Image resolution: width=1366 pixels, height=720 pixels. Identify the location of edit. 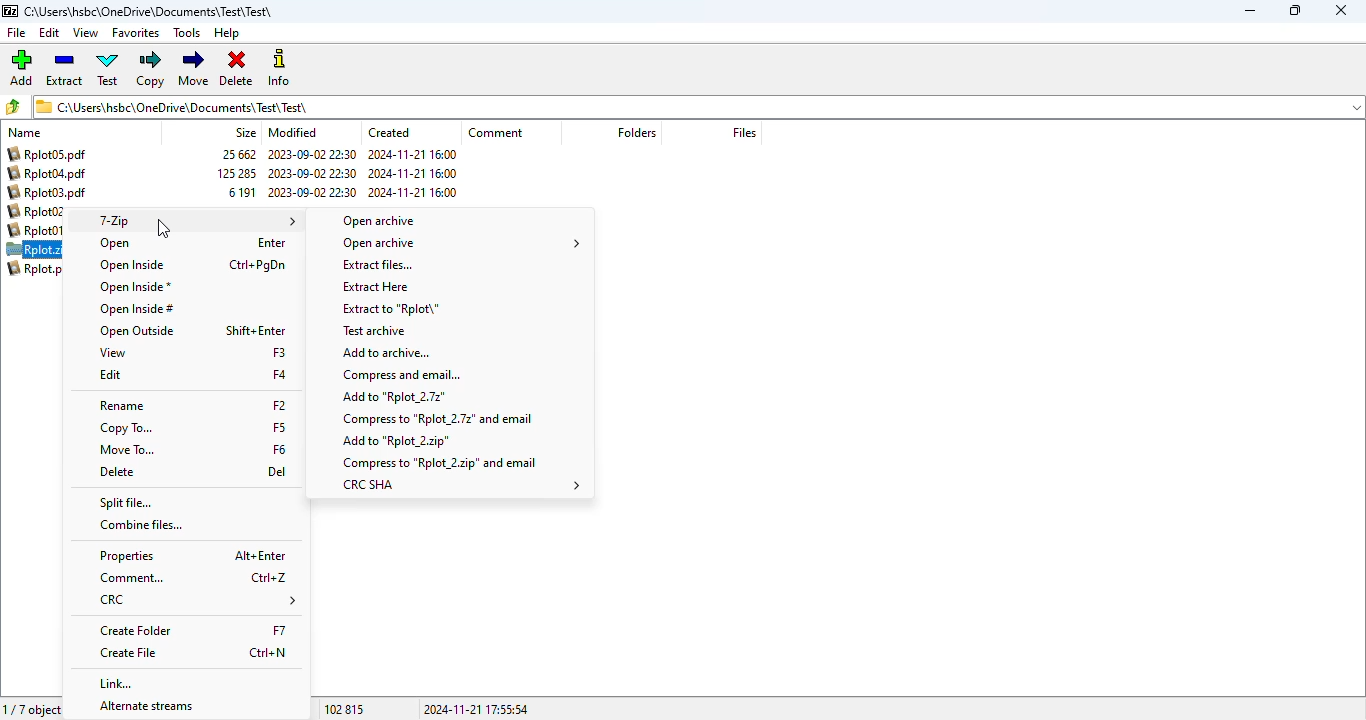
(50, 33).